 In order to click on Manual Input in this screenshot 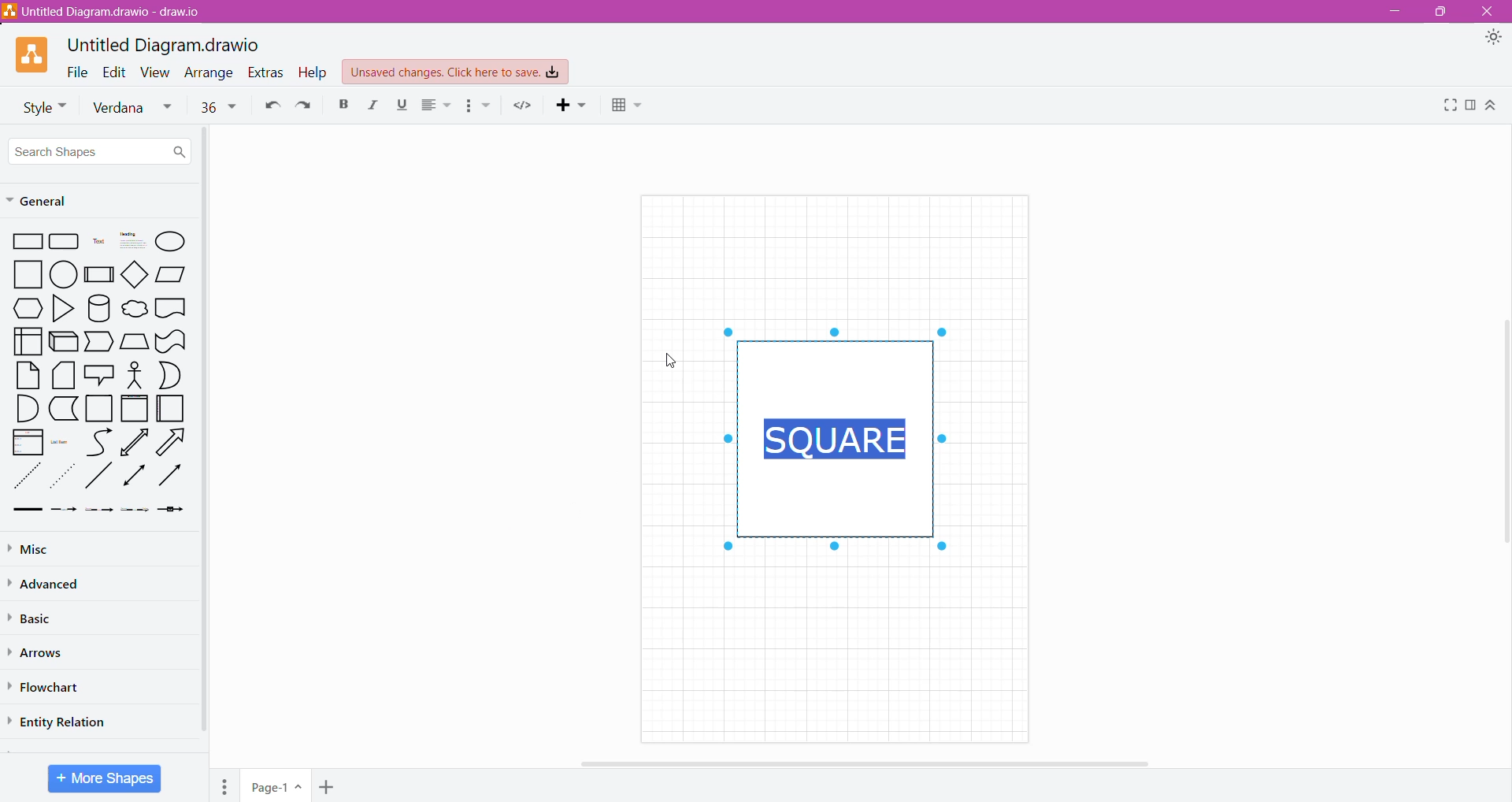, I will do `click(135, 340)`.